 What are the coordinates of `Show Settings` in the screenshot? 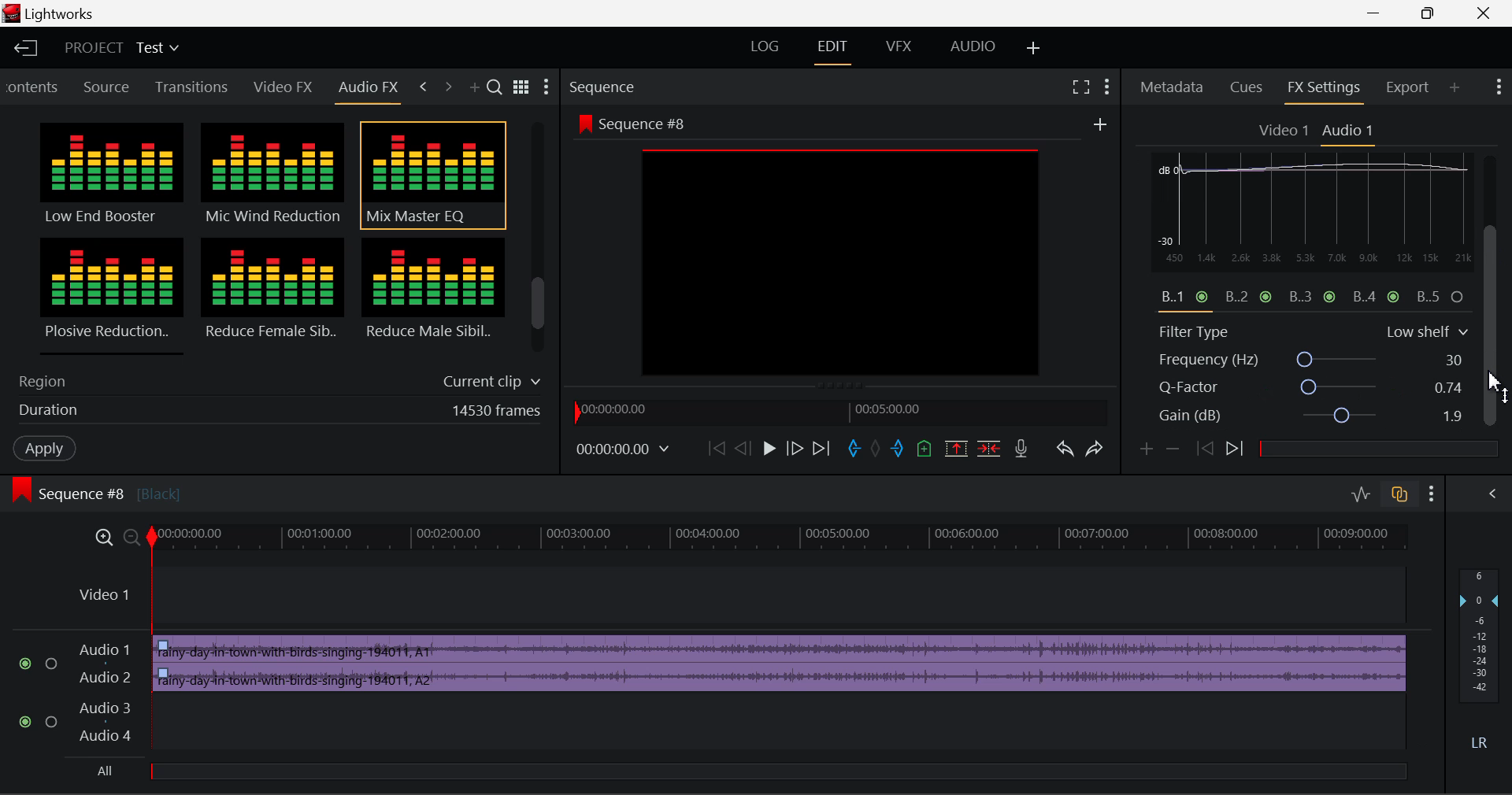 It's located at (1435, 494).